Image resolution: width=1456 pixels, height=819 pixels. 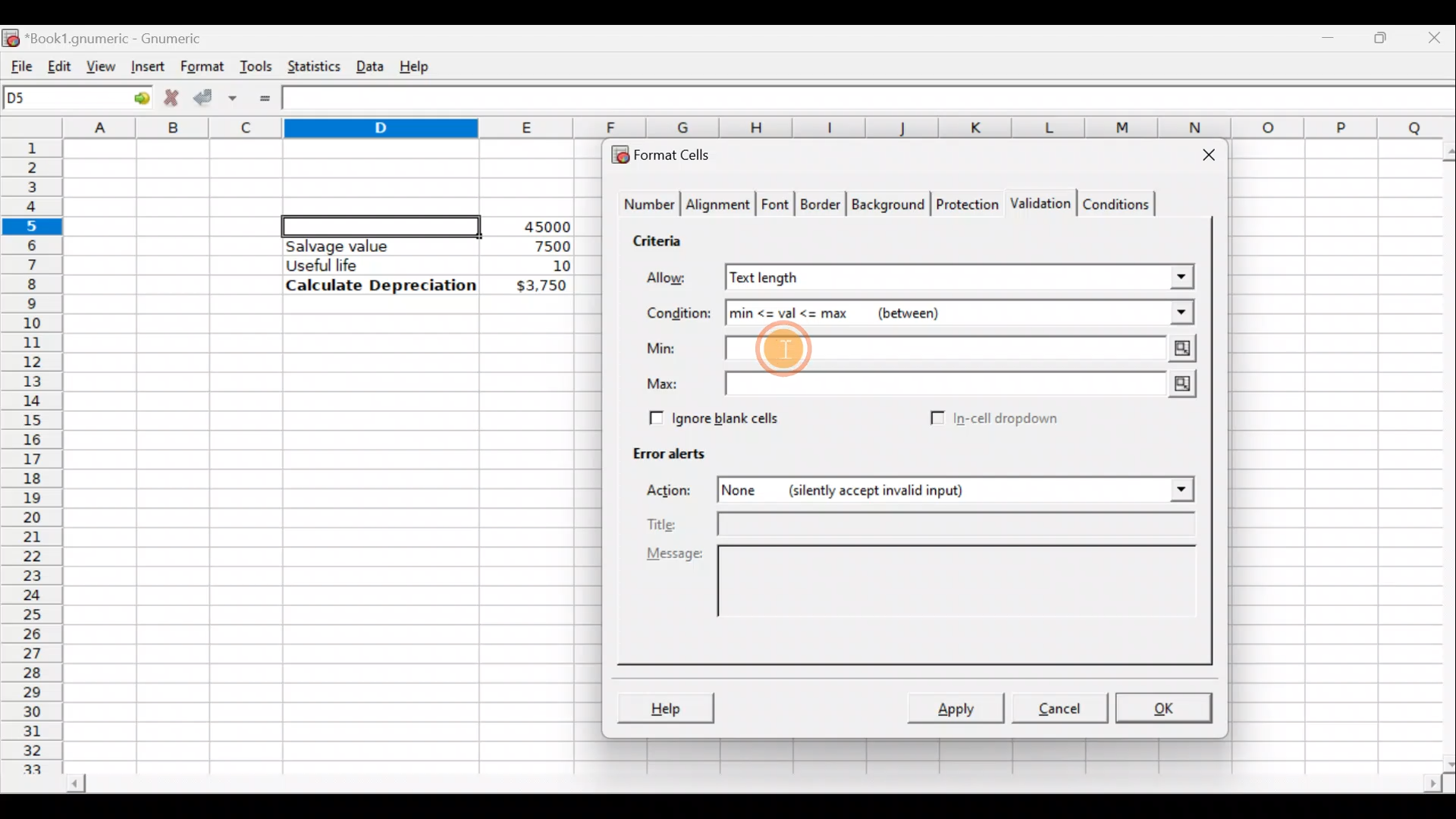 What do you see at coordinates (59, 99) in the screenshot?
I see `Cell name D5` at bounding box center [59, 99].